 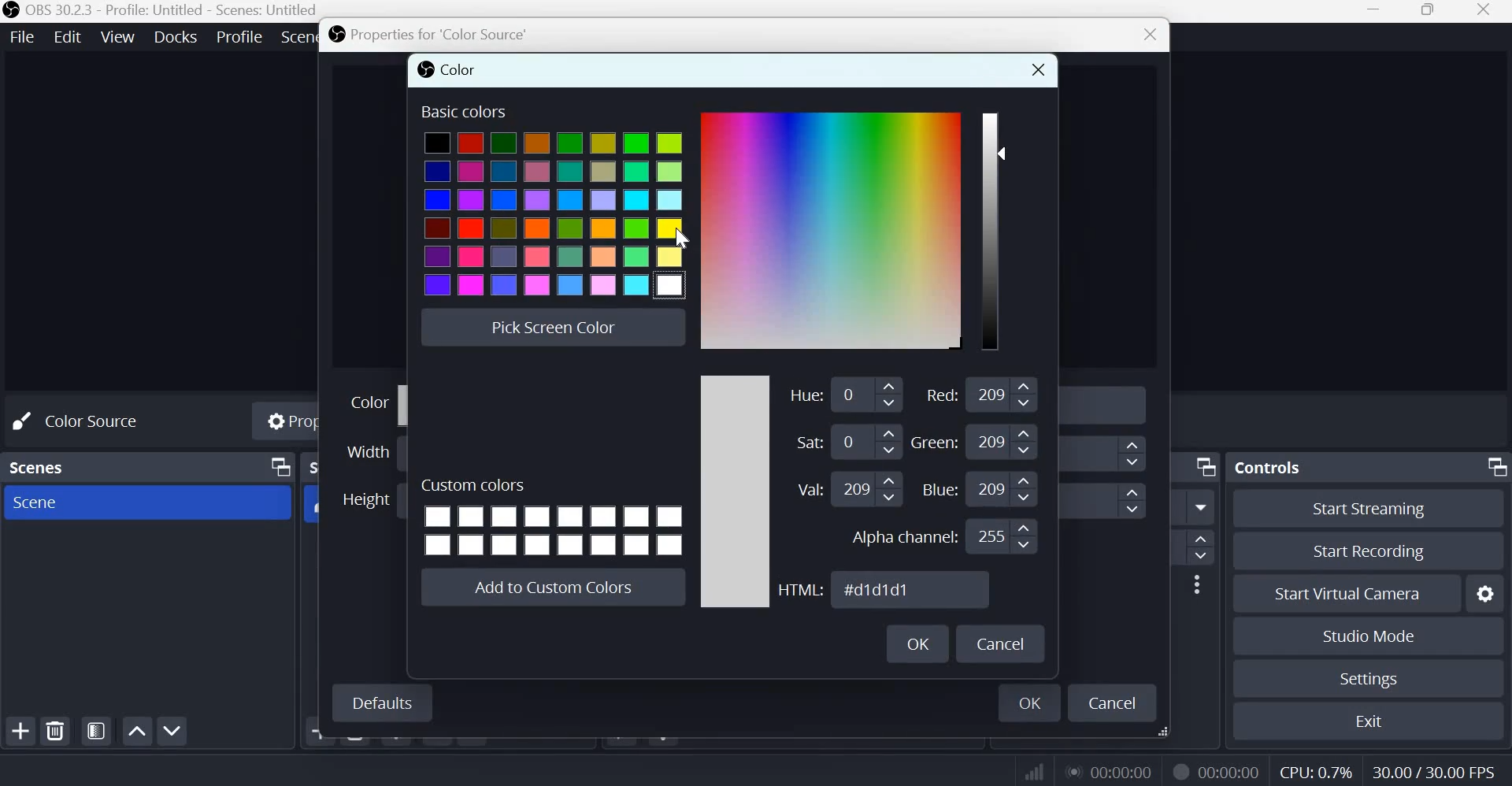 What do you see at coordinates (1180, 770) in the screenshot?
I see `Live Duration Timer` at bounding box center [1180, 770].